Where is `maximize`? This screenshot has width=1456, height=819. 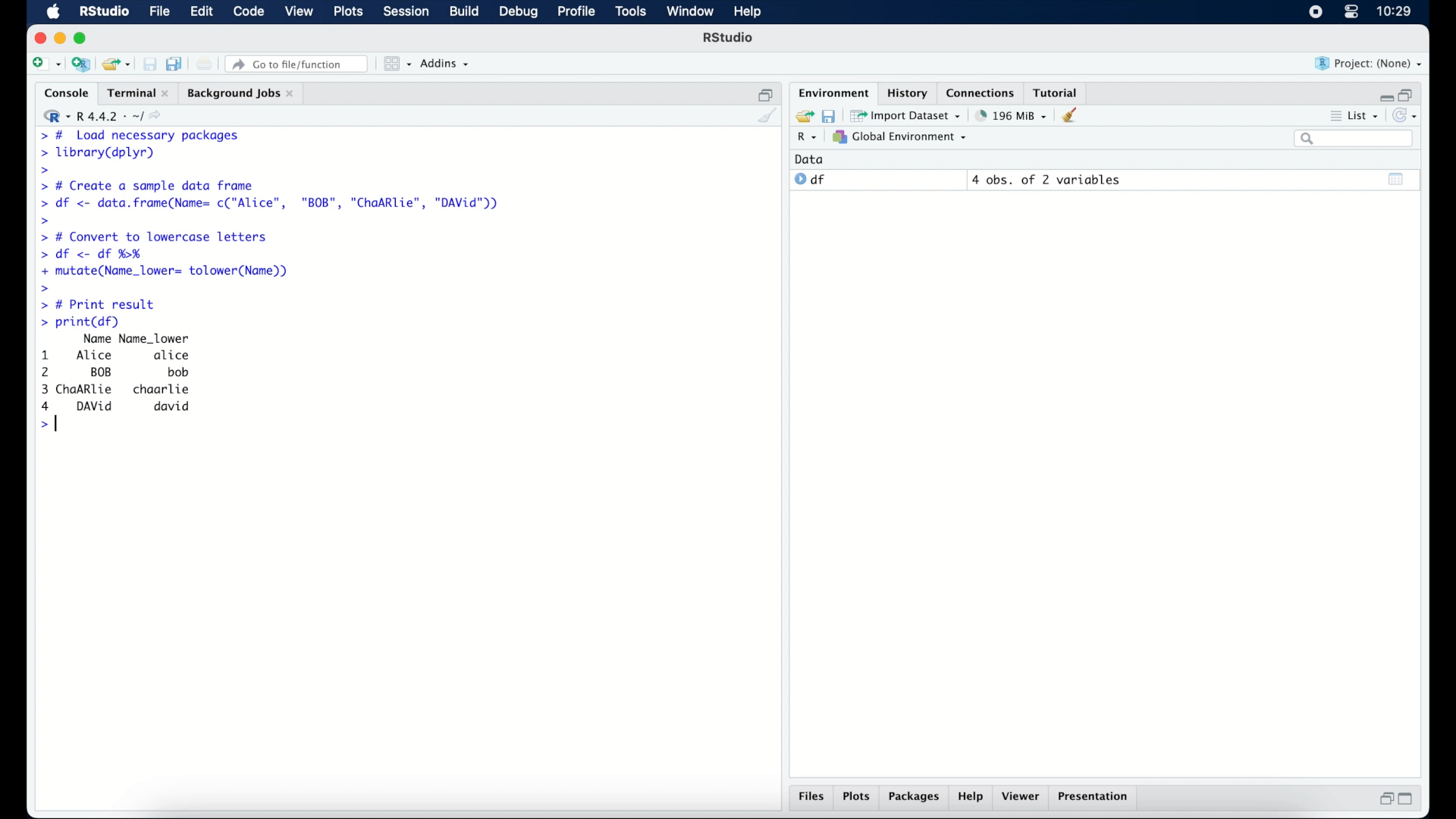 maximize is located at coordinates (1410, 799).